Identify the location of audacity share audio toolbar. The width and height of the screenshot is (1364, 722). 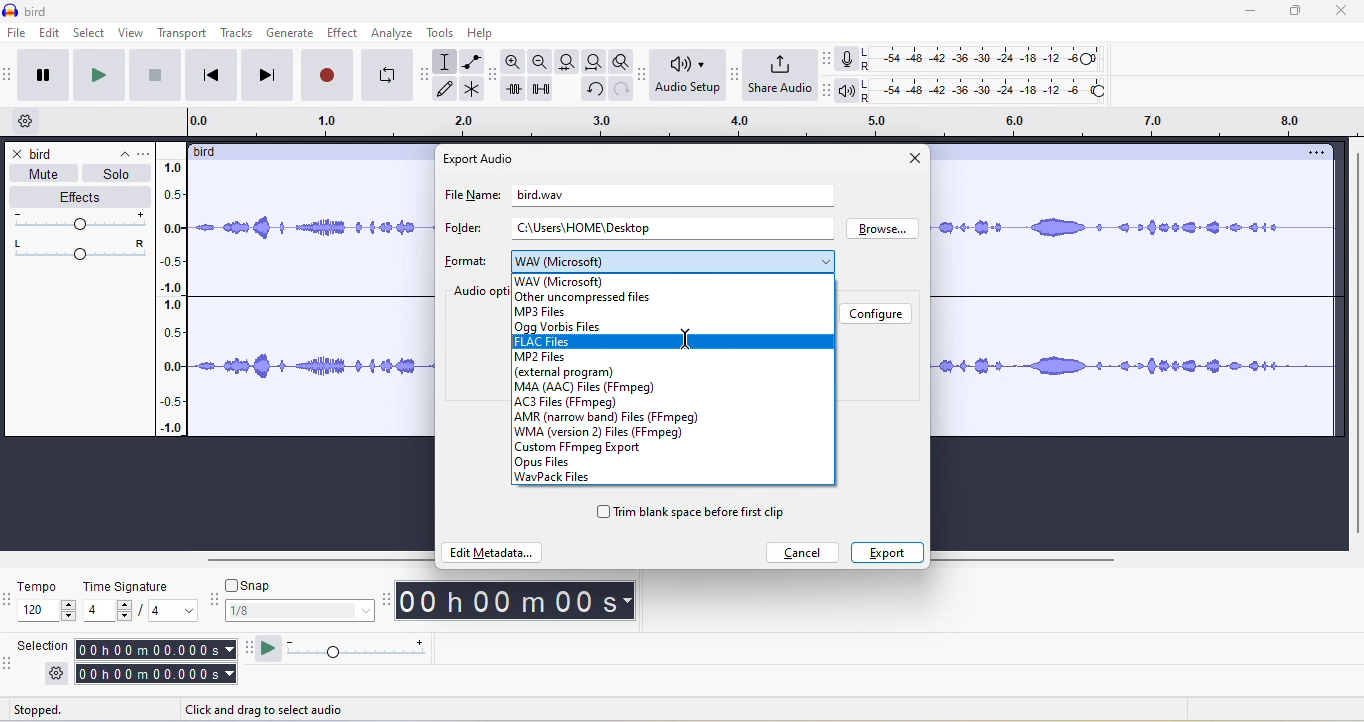
(732, 76).